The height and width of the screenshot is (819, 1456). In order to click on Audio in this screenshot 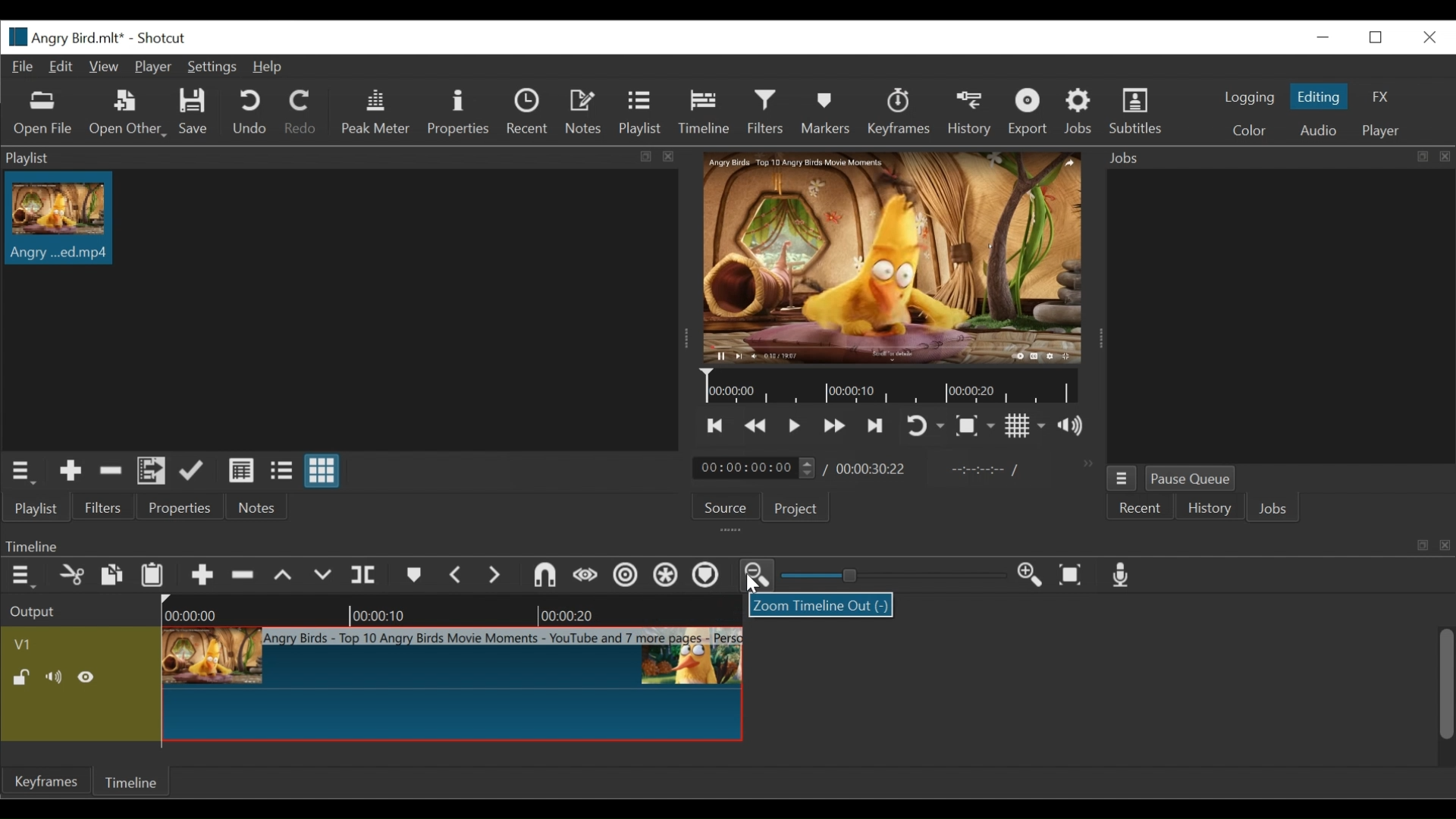, I will do `click(1317, 130)`.